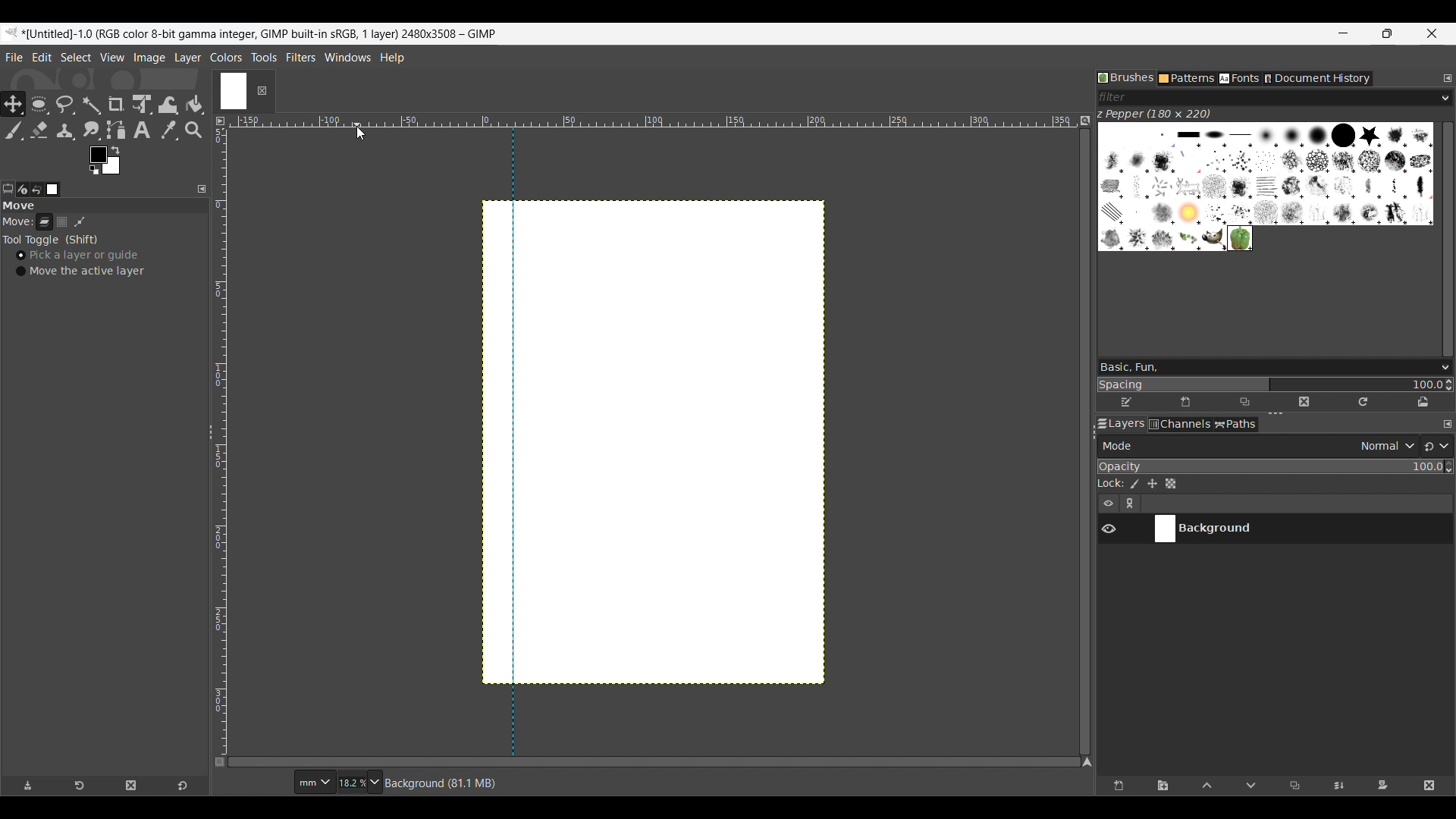 This screenshot has height=819, width=1456. Describe the element at coordinates (187, 58) in the screenshot. I see `Layer menu` at that location.